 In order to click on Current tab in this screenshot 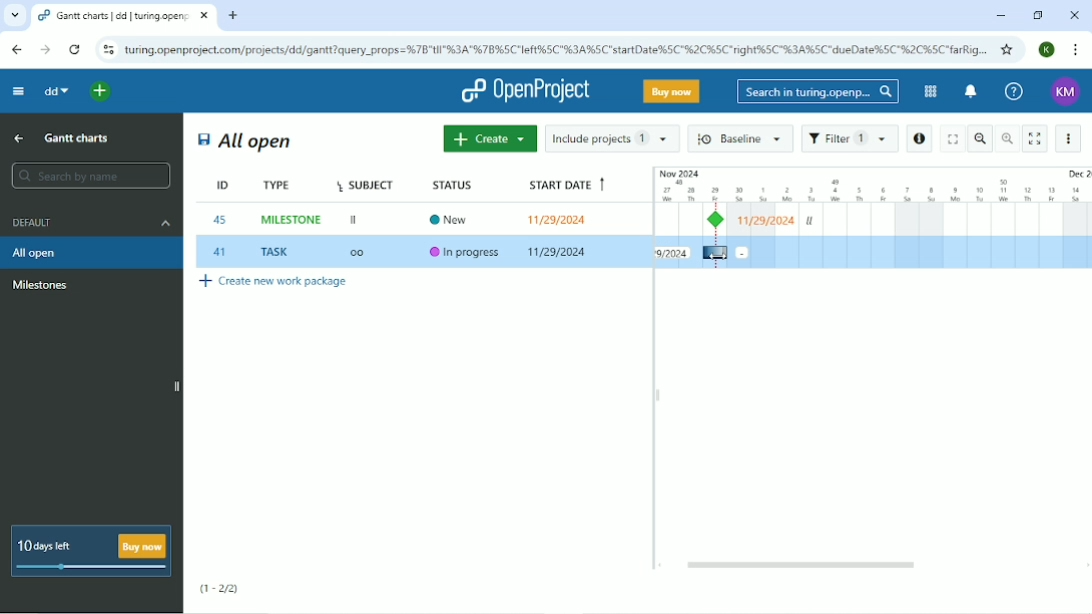, I will do `click(124, 16)`.